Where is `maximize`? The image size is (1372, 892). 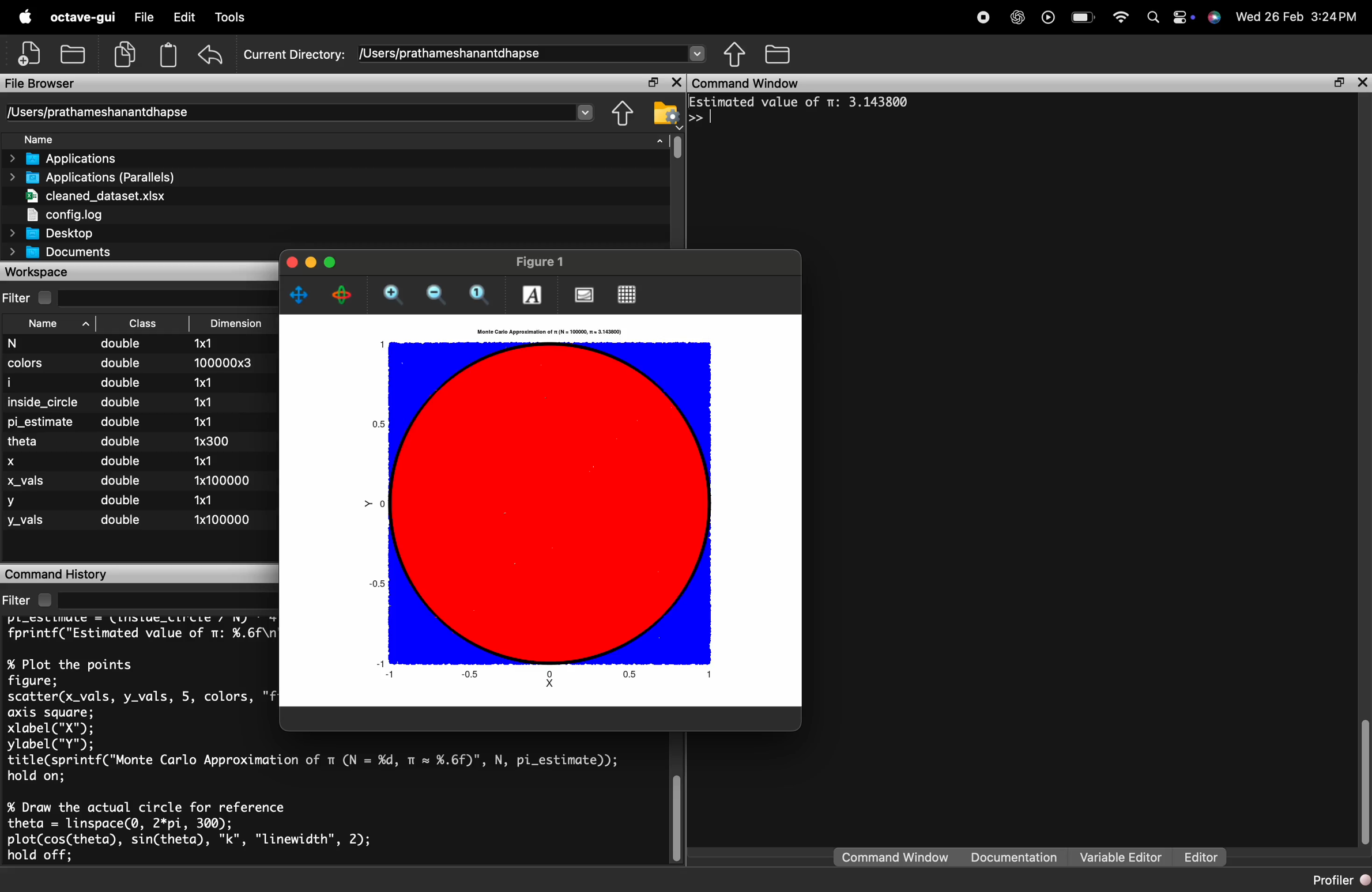
maximize is located at coordinates (1336, 84).